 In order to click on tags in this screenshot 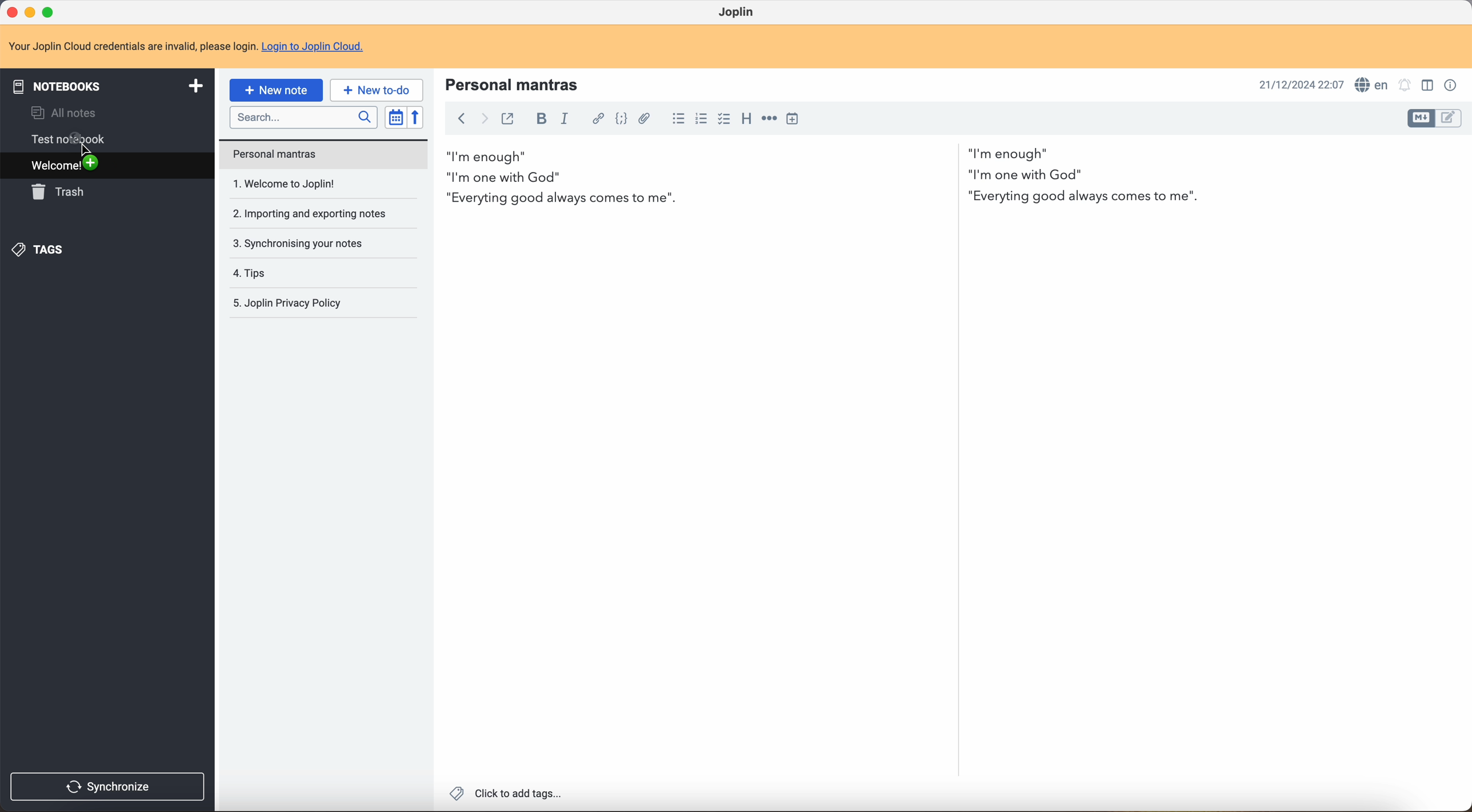, I will do `click(43, 252)`.